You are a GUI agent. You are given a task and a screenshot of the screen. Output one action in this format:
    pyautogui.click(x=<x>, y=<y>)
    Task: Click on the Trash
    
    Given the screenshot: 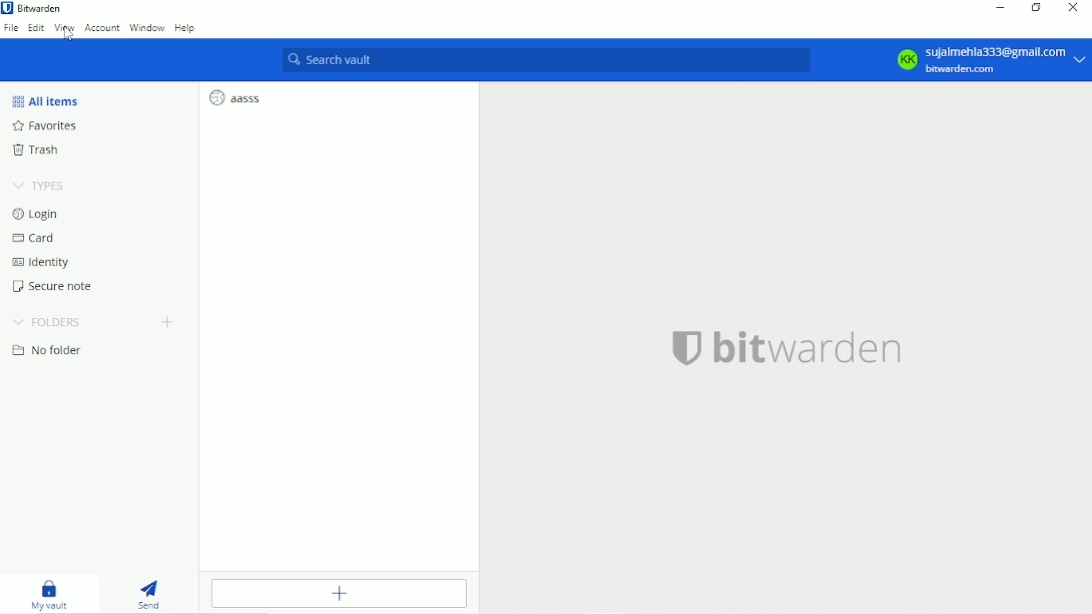 What is the action you would take?
    pyautogui.click(x=37, y=150)
    